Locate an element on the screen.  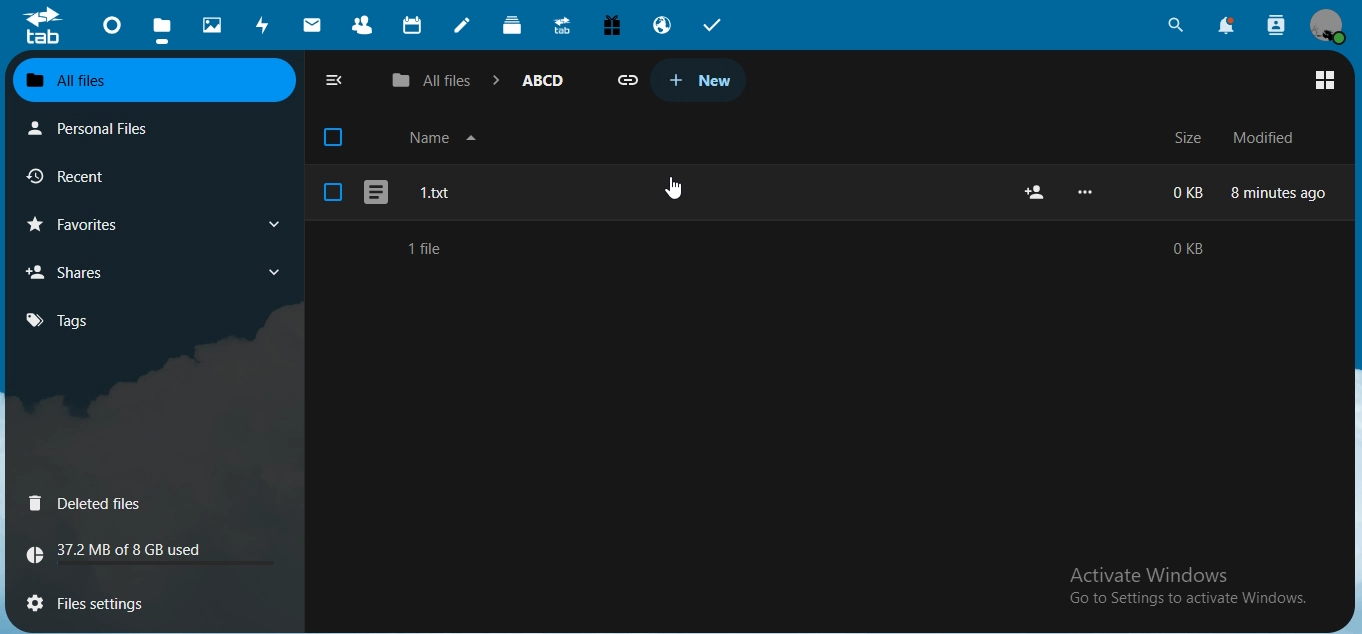
photos is located at coordinates (213, 23).